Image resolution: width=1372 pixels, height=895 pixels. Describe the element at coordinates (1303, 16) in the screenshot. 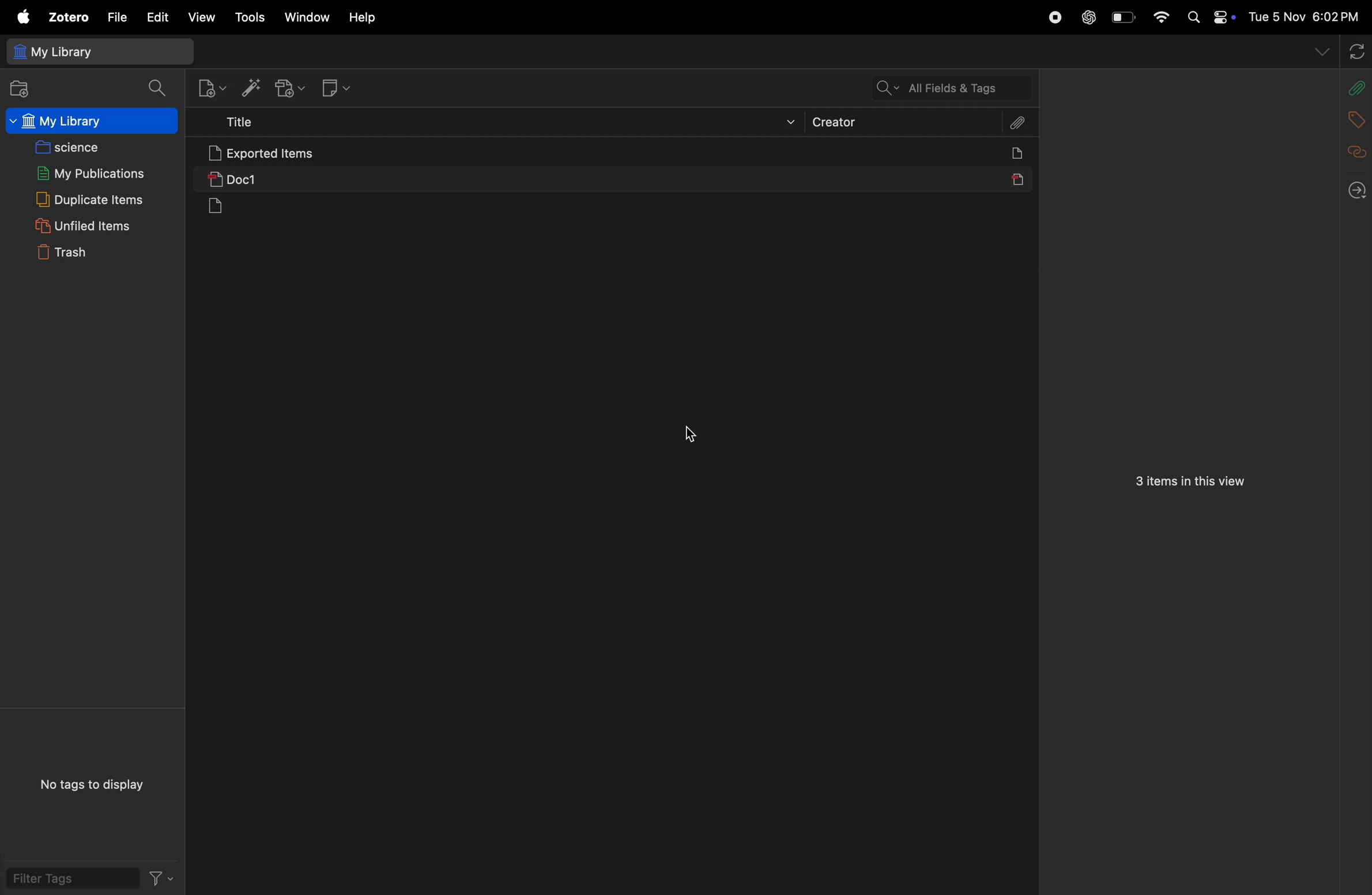

I see `time and date` at that location.